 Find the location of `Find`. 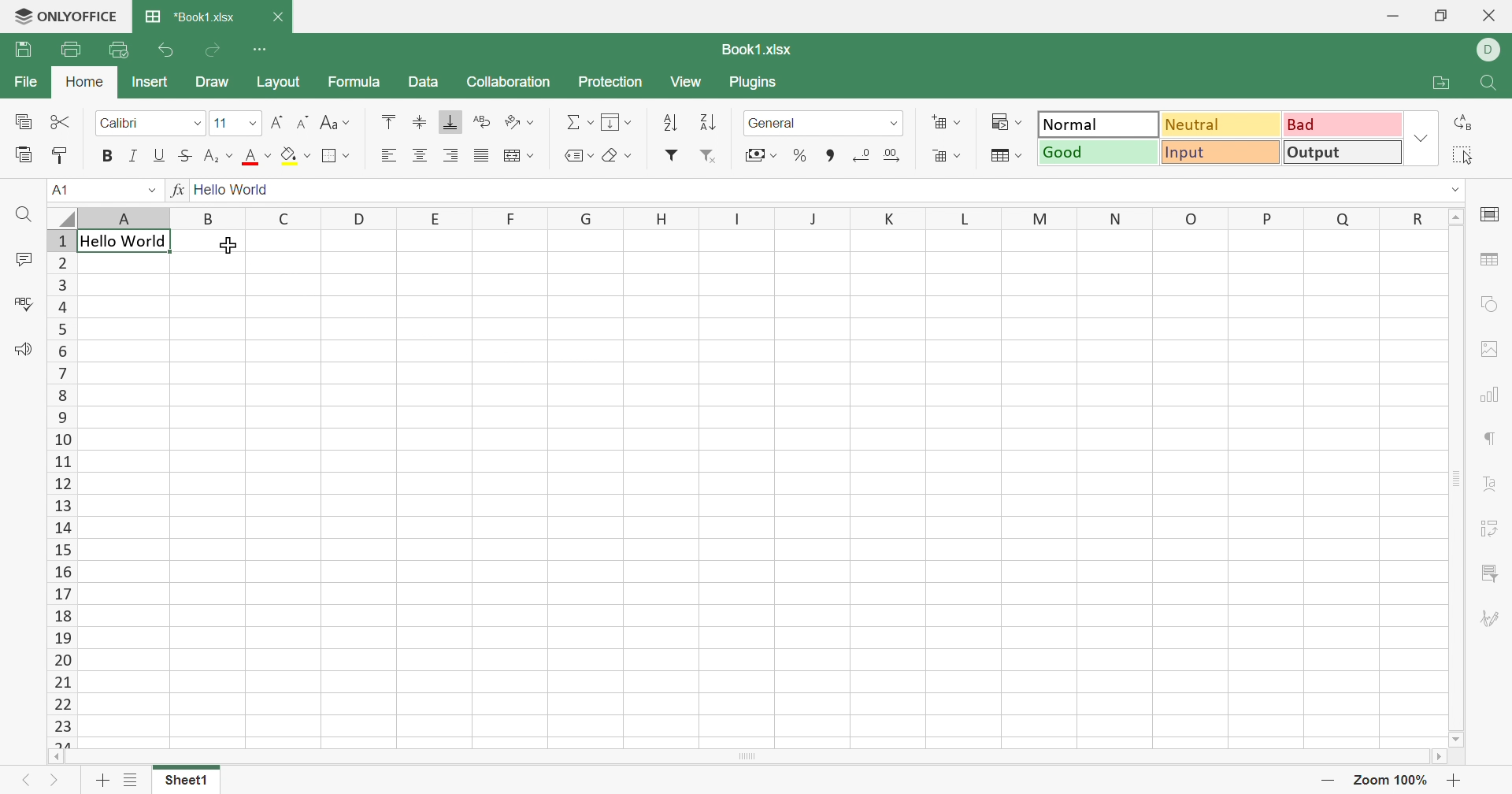

Find is located at coordinates (1492, 83).